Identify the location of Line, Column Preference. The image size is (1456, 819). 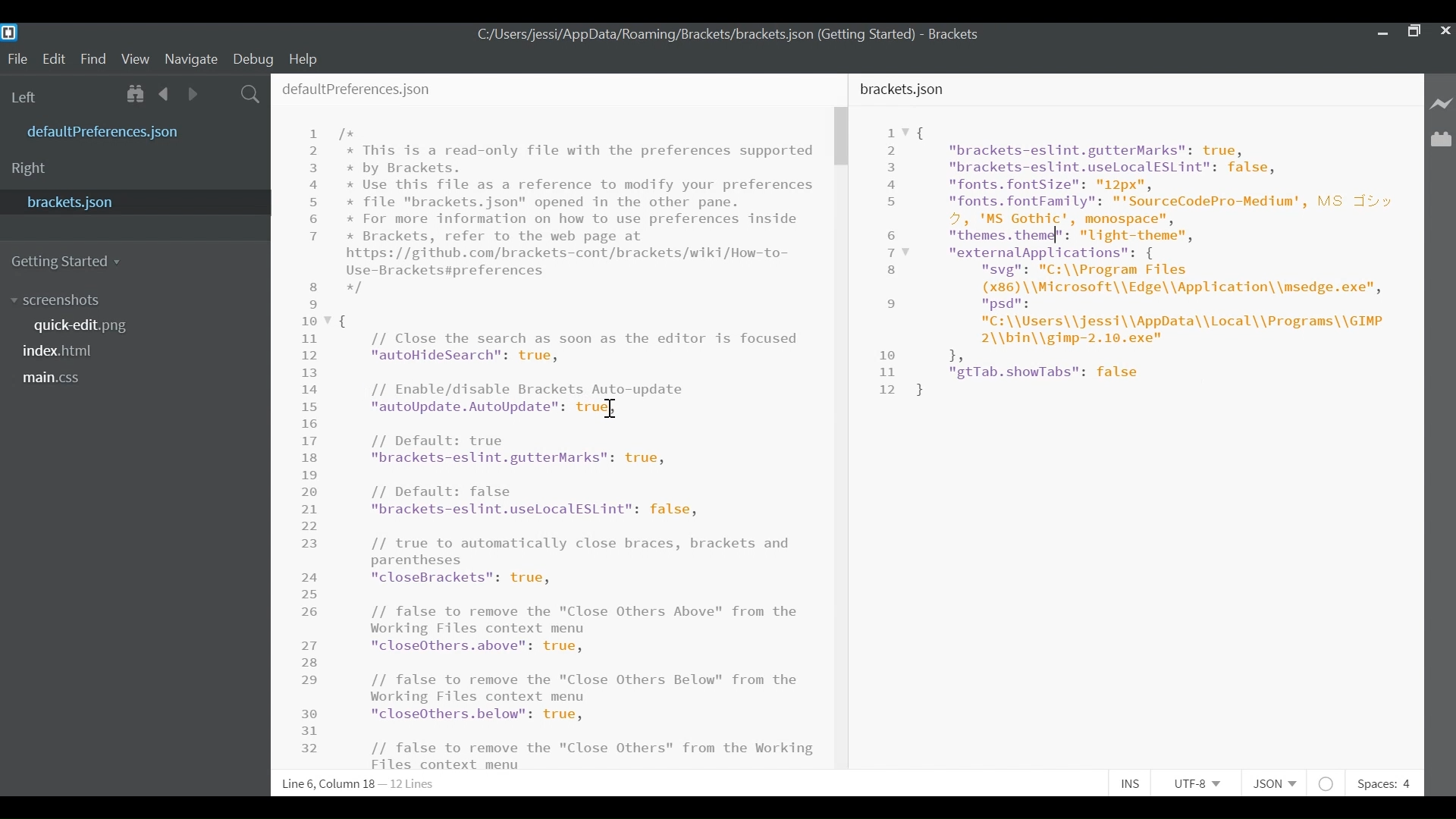
(356, 784).